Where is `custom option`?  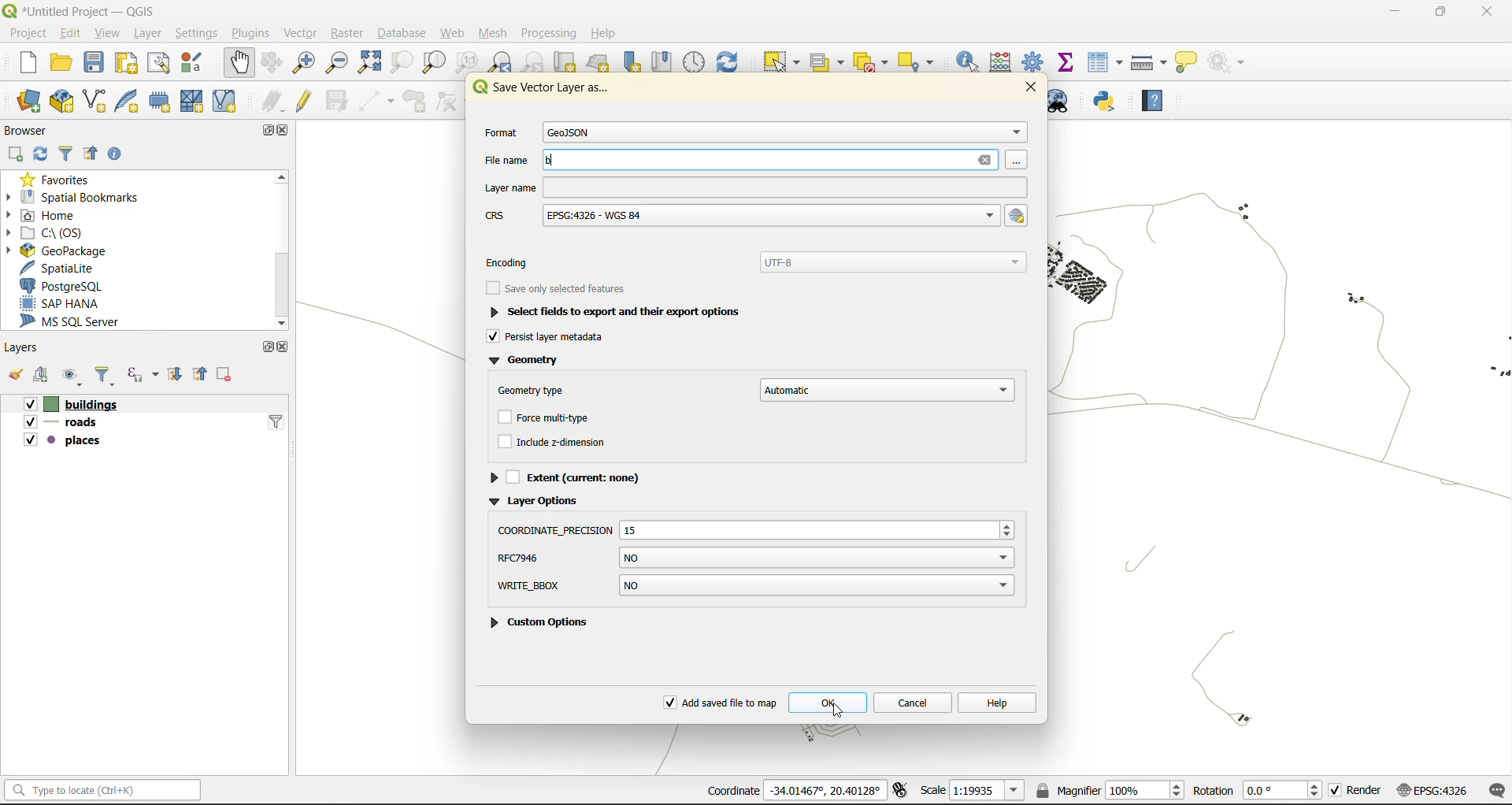 custom option is located at coordinates (547, 625).